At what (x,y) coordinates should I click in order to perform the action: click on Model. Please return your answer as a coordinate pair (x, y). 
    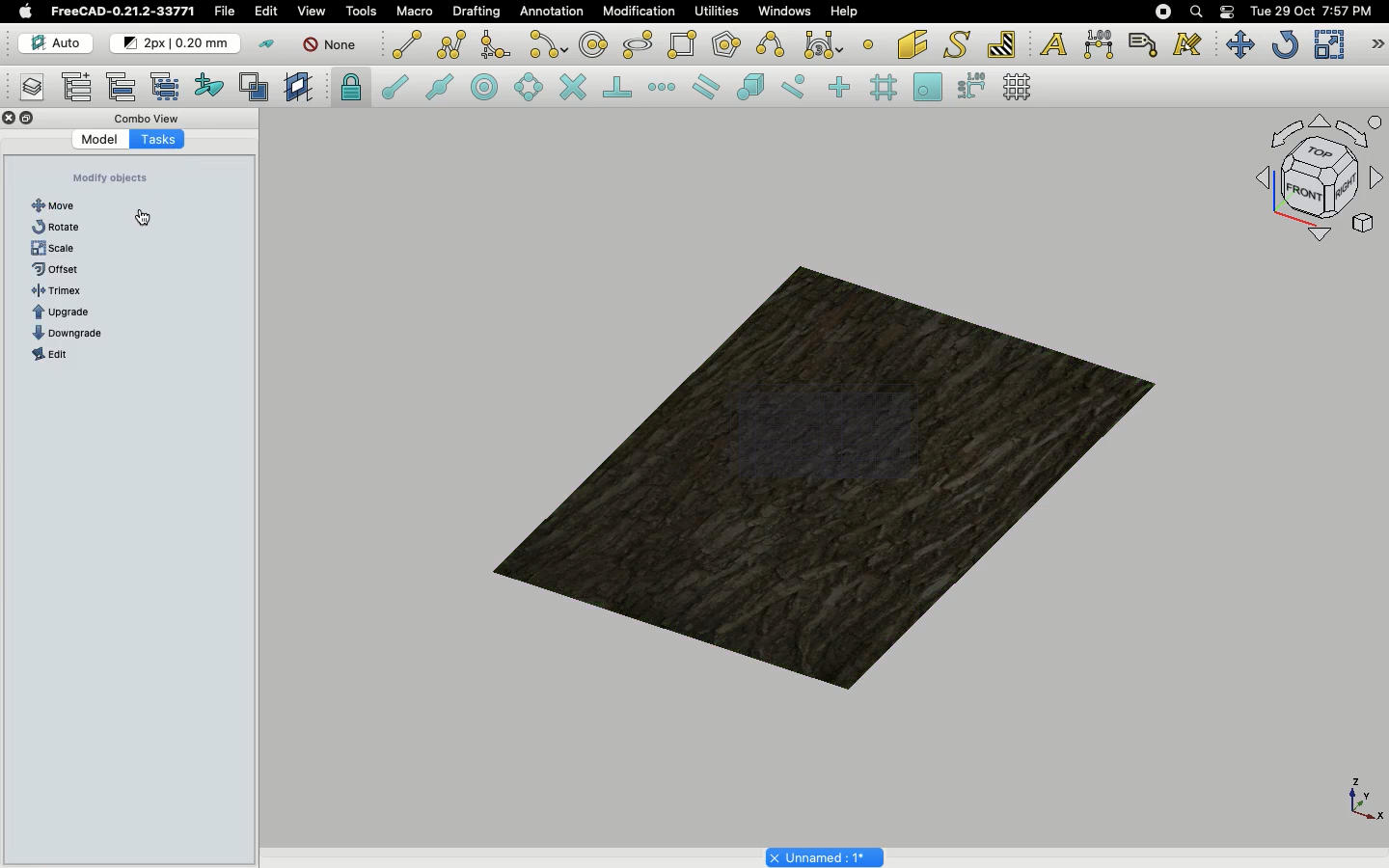
    Looking at the image, I should click on (101, 140).